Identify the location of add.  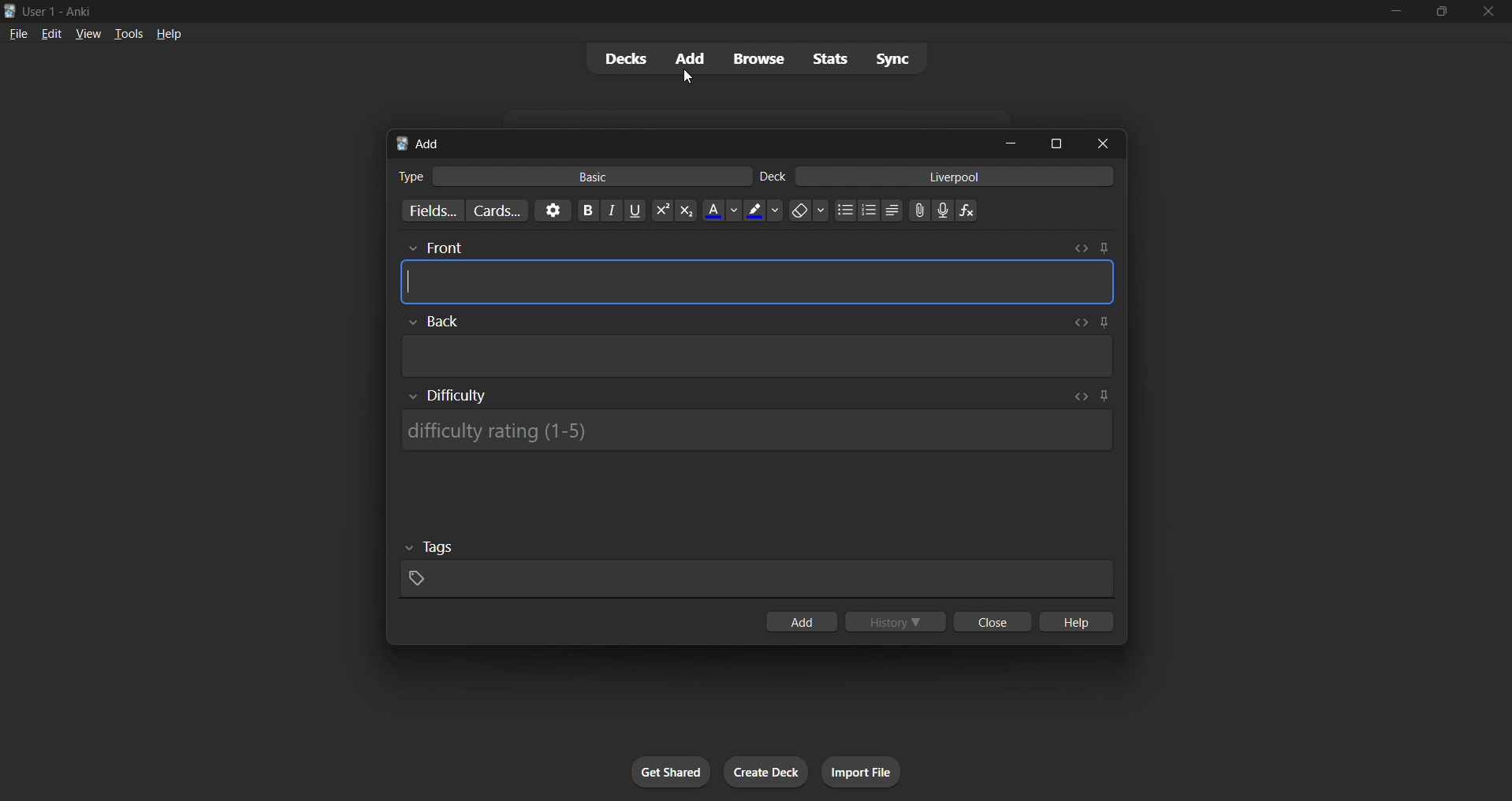
(799, 623).